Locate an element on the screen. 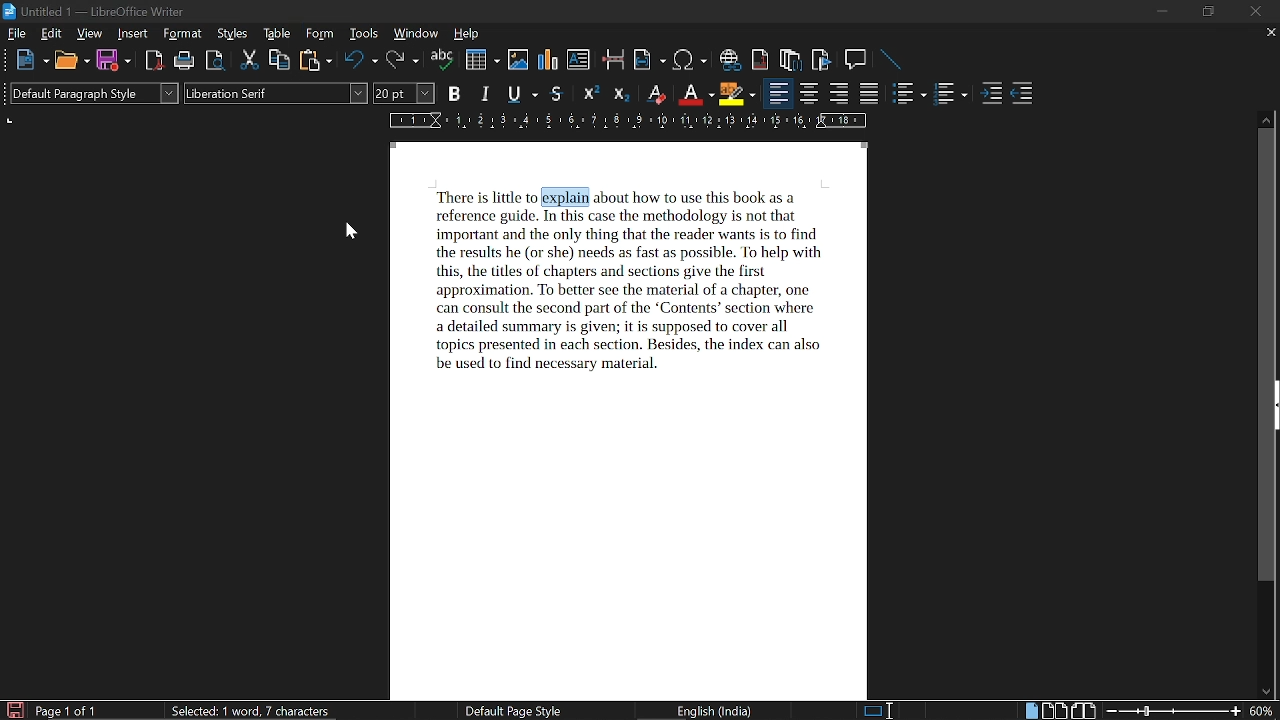 The width and height of the screenshot is (1280, 720). insert bookmark is located at coordinates (822, 60).